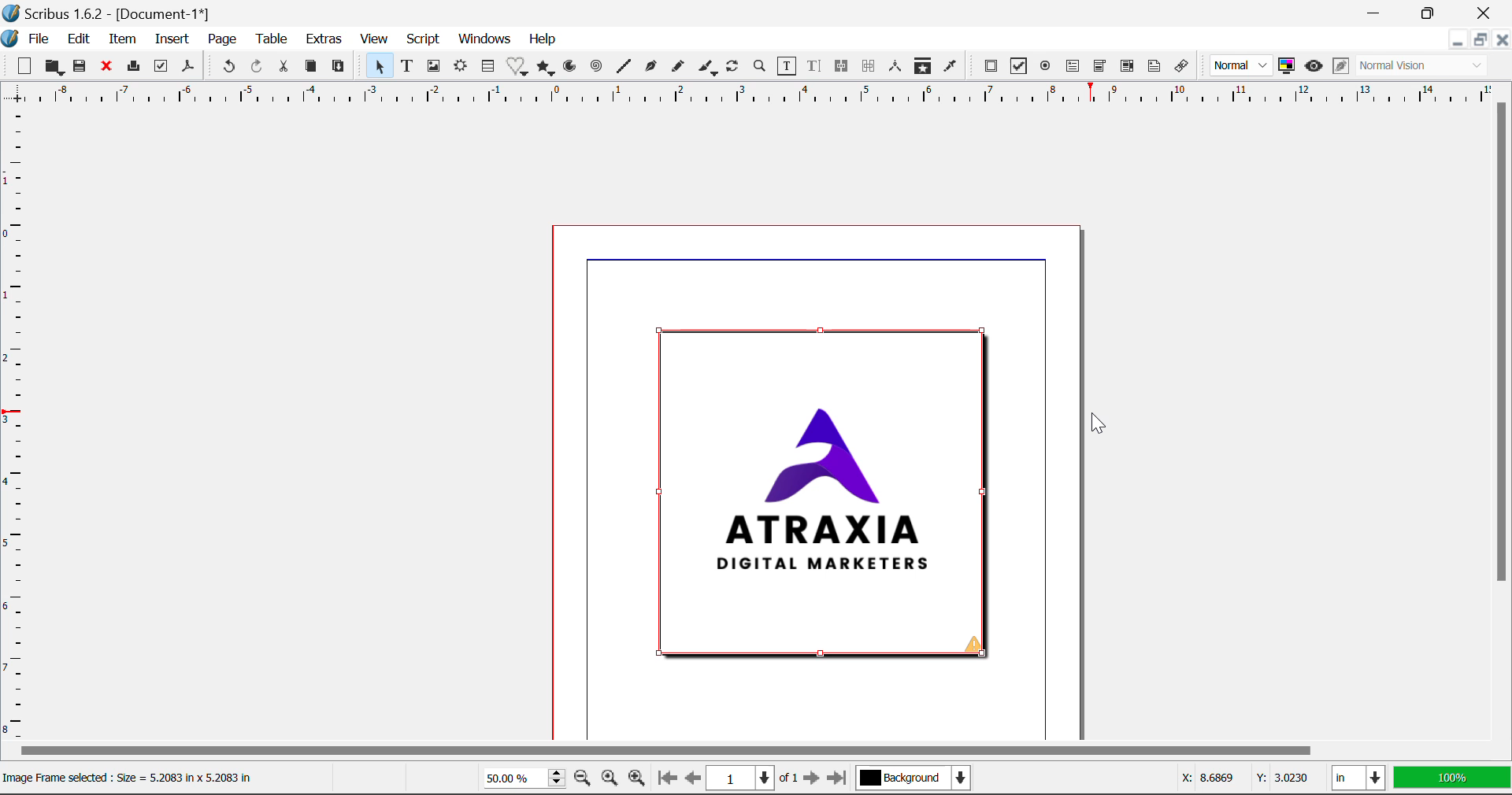  Describe the element at coordinates (408, 67) in the screenshot. I see `Text Frame` at that location.